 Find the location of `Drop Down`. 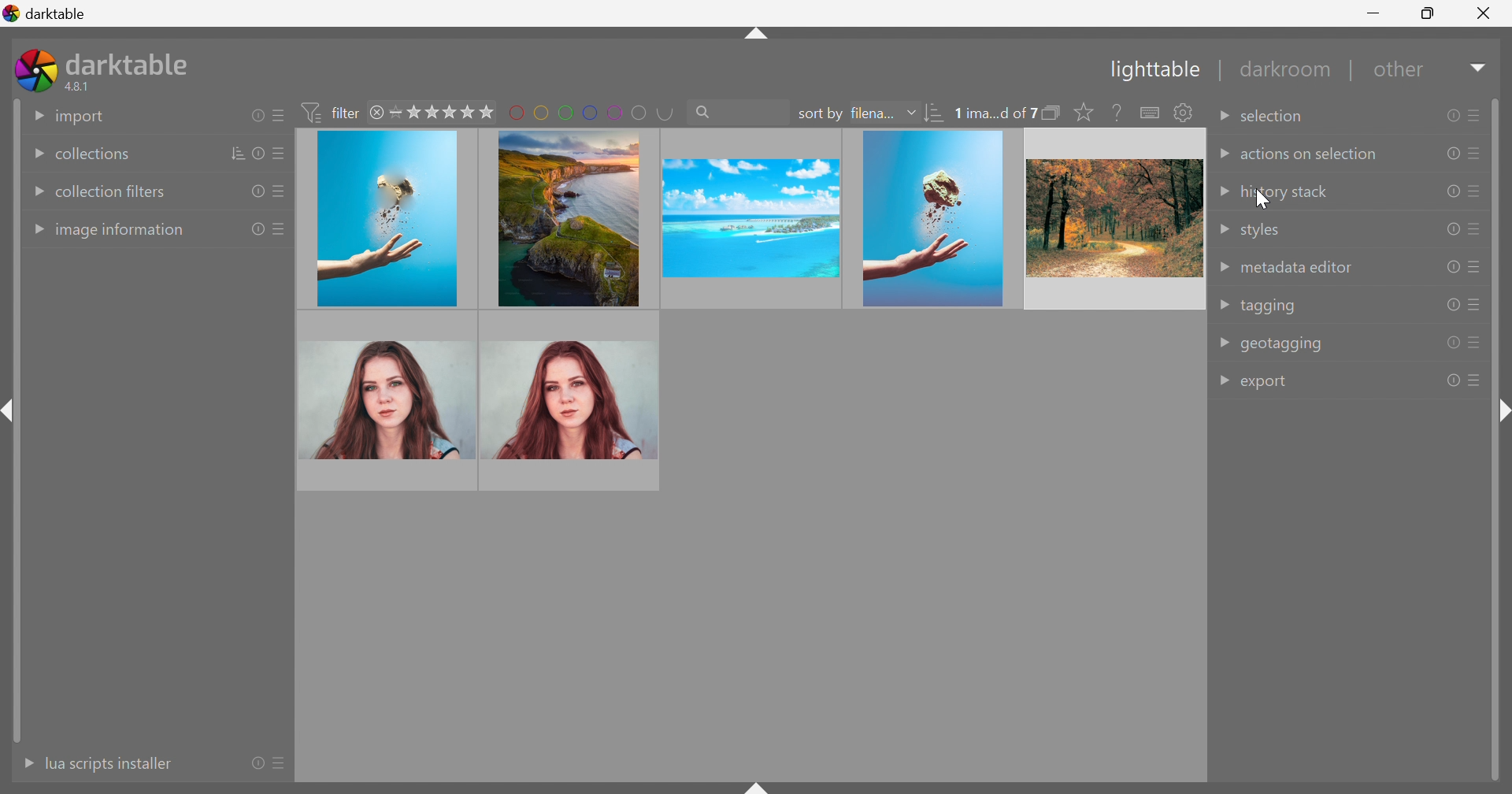

Drop Down is located at coordinates (910, 112).